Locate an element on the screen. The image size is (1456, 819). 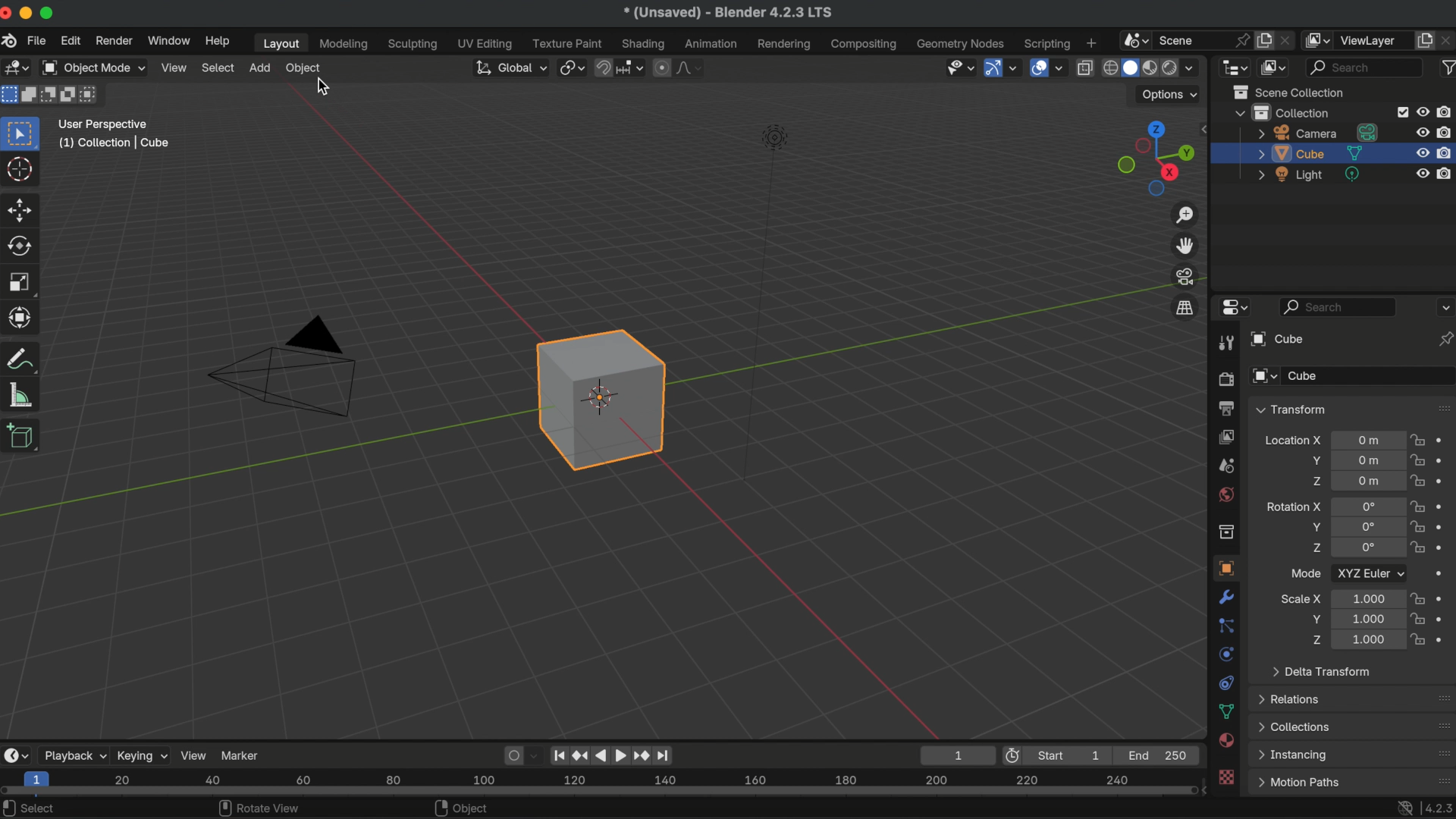
snap is located at coordinates (604, 66).